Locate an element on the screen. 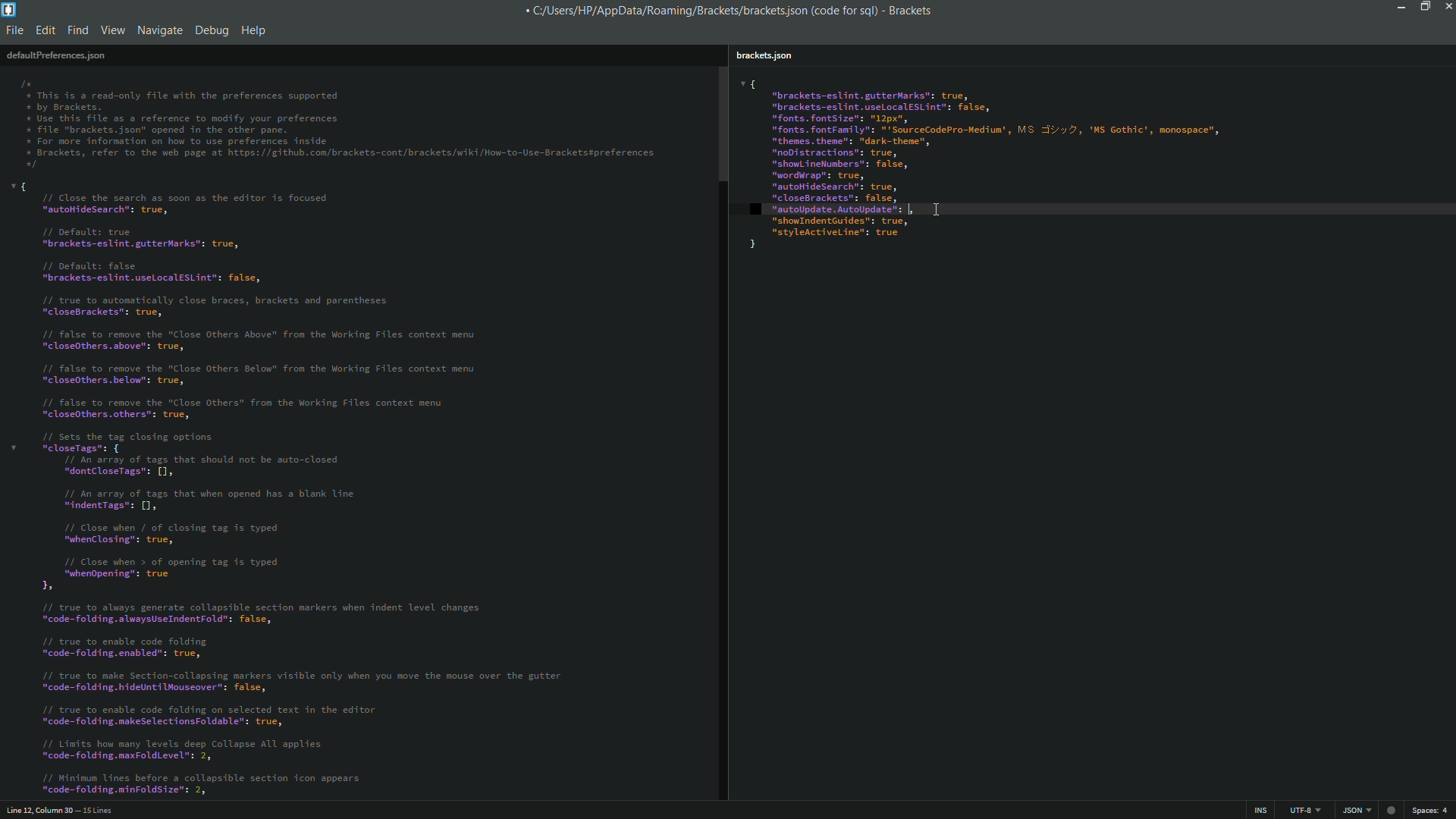 This screenshot has width=1456, height=819. v{
// Close the search as soon as the editor is focused
“autoHidesearch": true,
// Default: true
“brackets-eslint.gutterMarks": true,
// Default: false
"brackets-eslint.useLocalesLint": false,
// true to automatically close braces, brackets and parentheses
"closeBrackets": true,
// false to remove the "Close Others Above" from the Working Files context menu
"closeothers.above": true,
// false to remove the "Close Others Below" from the Working Files context menu
"closeothers.below": true,
// false to remove the "Close Others" from the Working Files context menu
"closeOthers. others": true,
/1 sets the tag closing options
* “closeTags": {
// An array of tags that should not be auto-closed
"dontCloseTags": [1,
// An array of tags that when opened has a blank line
"indentTags": [1,
// Close when / of closing tag is typed
"whenClosing": true,
// Close when > of opening tag is typed
"whenOpening": true
by
// true to always generate collapsible section markers when indent level changes
"code-folding.alwaysUseIndentFold": false,
// true to enable code folding
"code-folding.enabled": true,
// true to make Section-collapsing markers visible only when you move the mouse over the gutter
"code-folding.hideuntilMouseover®: false,
// true to enable code folding on selected text in the editor
"code-folding.makeselectionsFoldable": true,
// Limits how many levels deep Collapse ALL applies
"code-folding.maxFoldLevel™: 2,
// Minimum Lines before a collapsible section icon appears
“code-folding.minFoldsize": 2, is located at coordinates (337, 489).